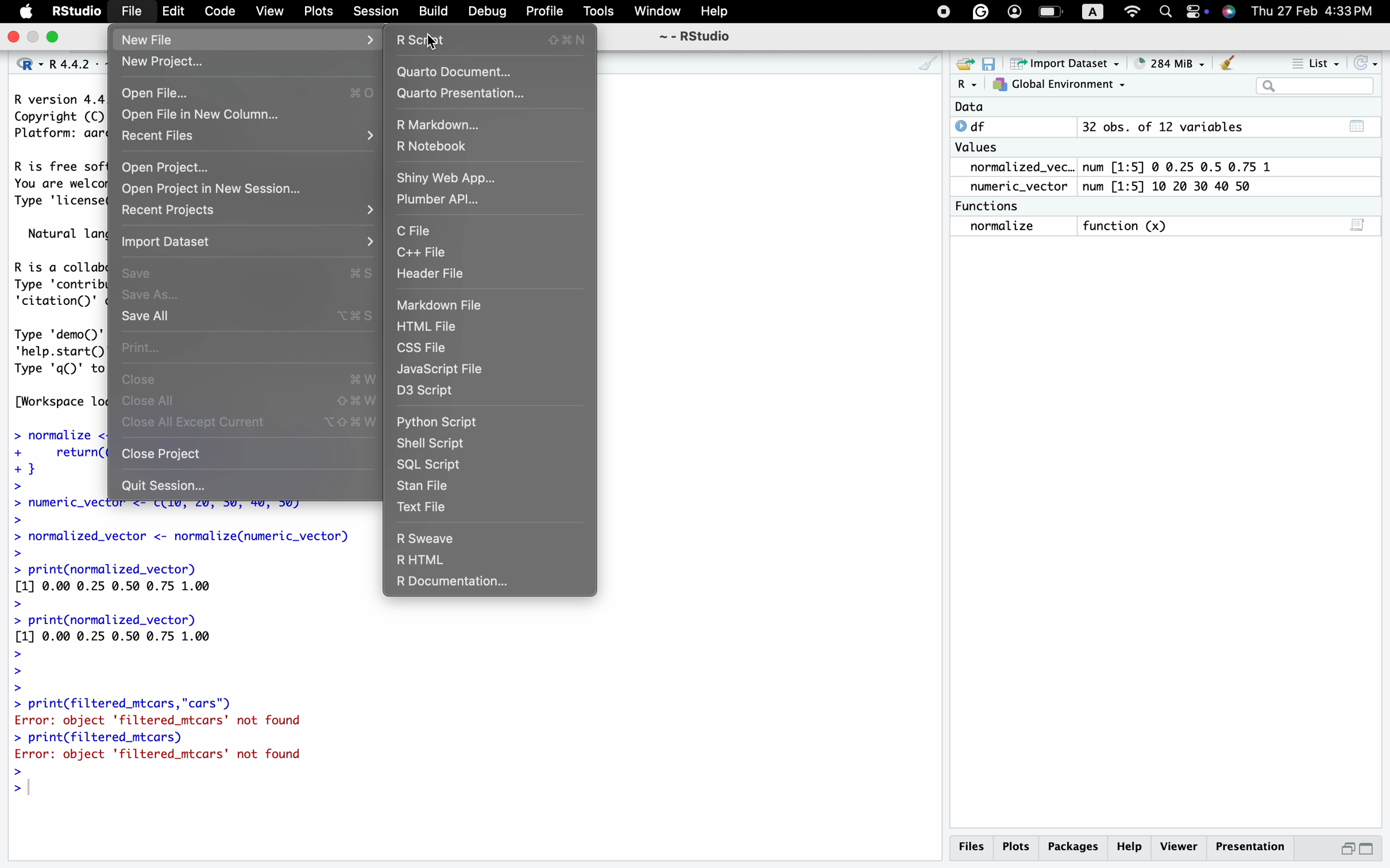 Image resolution: width=1390 pixels, height=868 pixels. Describe the element at coordinates (1020, 846) in the screenshot. I see `Plots` at that location.